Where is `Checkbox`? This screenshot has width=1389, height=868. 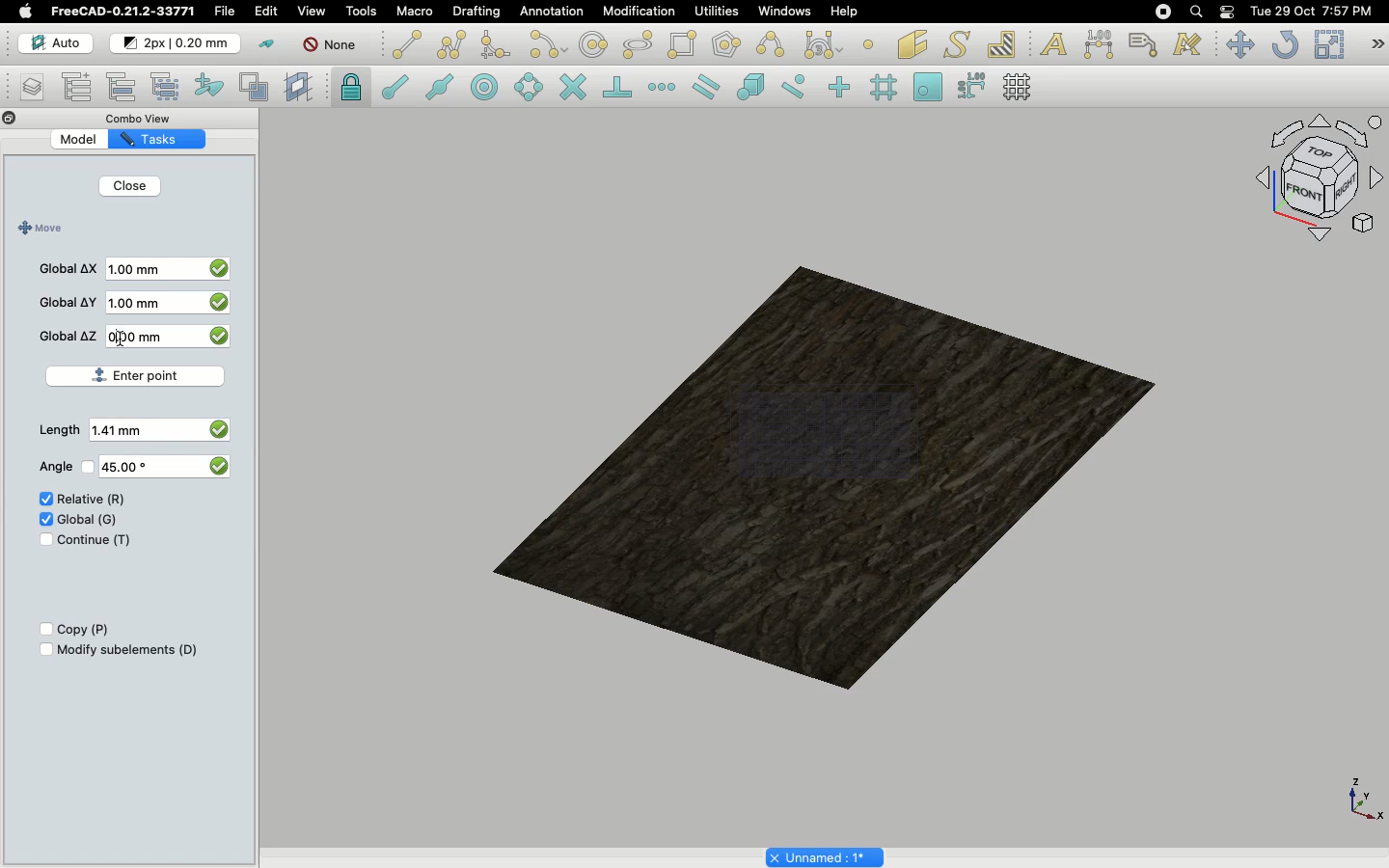
Checkbox is located at coordinates (43, 650).